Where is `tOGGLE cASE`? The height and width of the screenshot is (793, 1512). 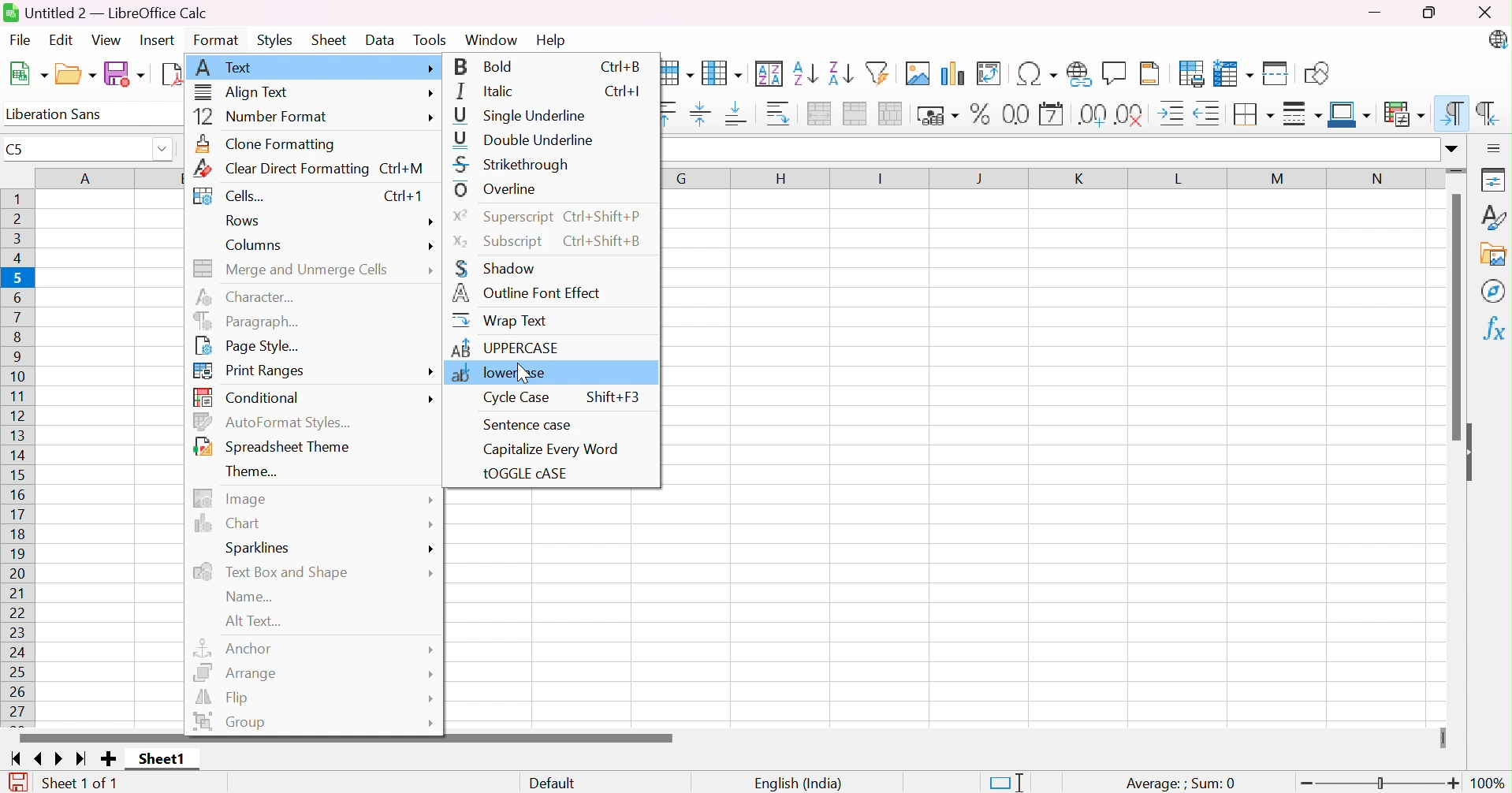
tOGGLE cASE is located at coordinates (525, 474).